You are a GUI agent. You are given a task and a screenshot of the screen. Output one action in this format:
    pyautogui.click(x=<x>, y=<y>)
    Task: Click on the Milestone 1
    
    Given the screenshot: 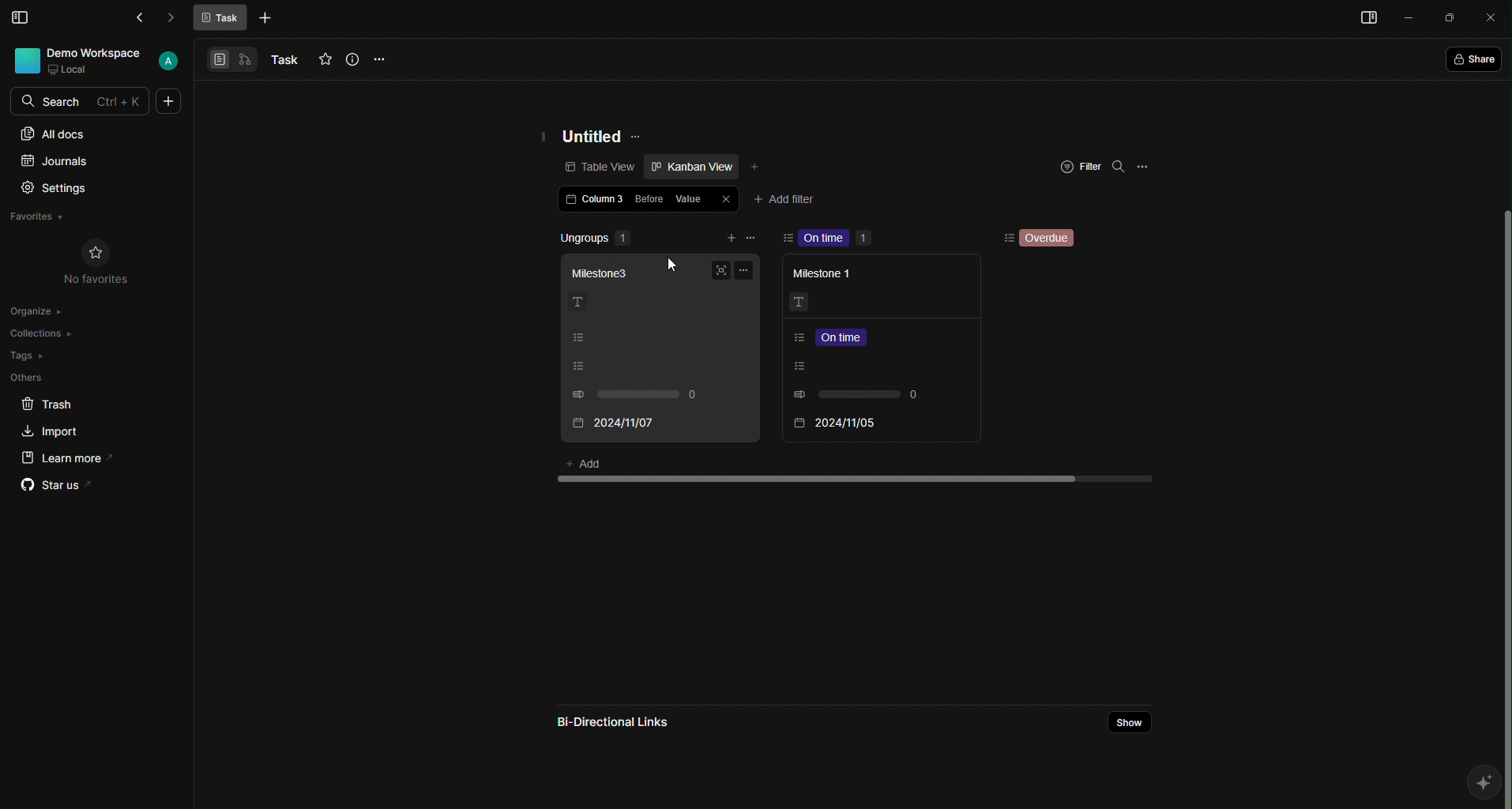 What is the action you would take?
    pyautogui.click(x=829, y=274)
    